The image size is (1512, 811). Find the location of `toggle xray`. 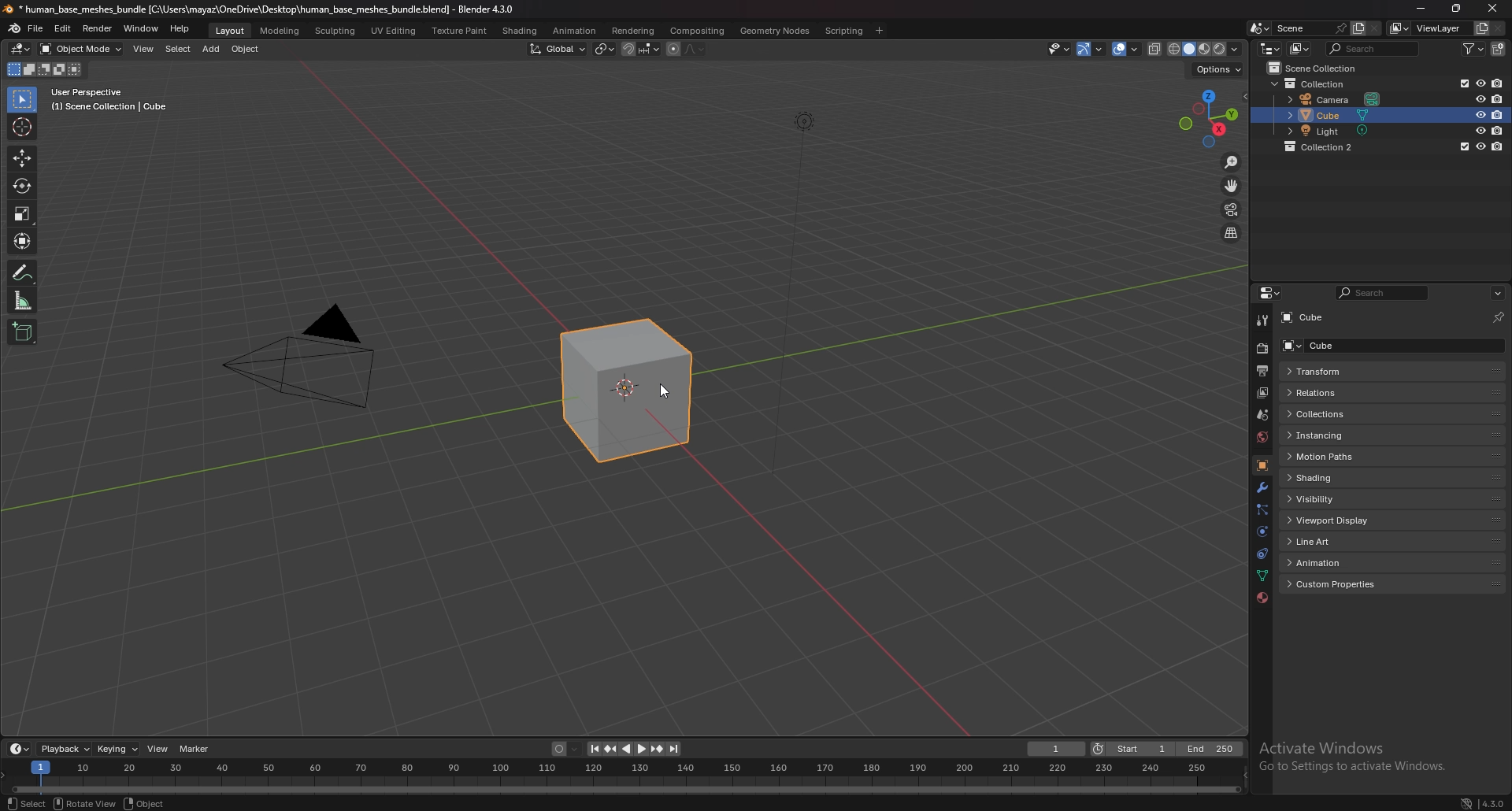

toggle xray is located at coordinates (1155, 49).